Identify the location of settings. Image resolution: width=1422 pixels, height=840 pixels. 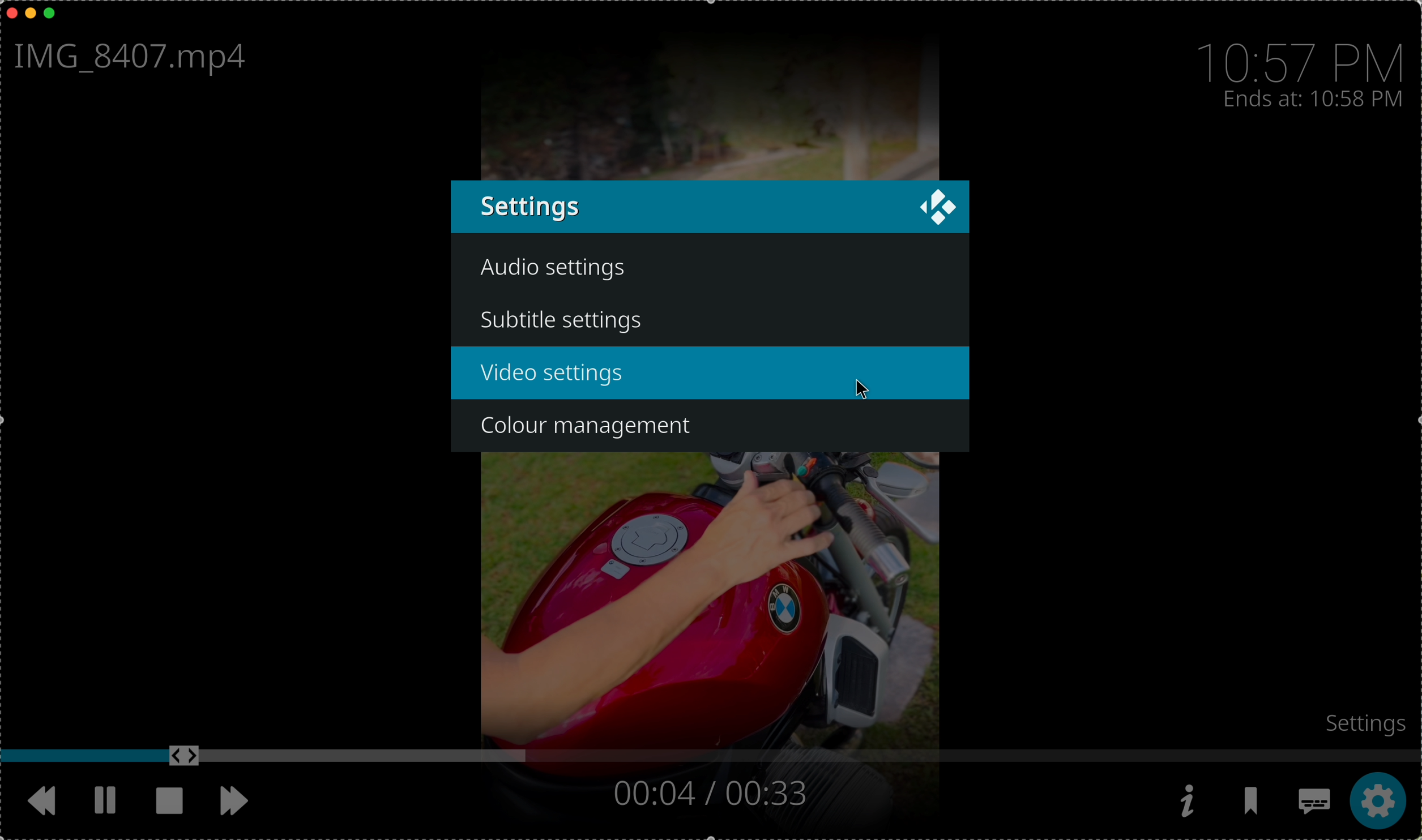
(676, 207).